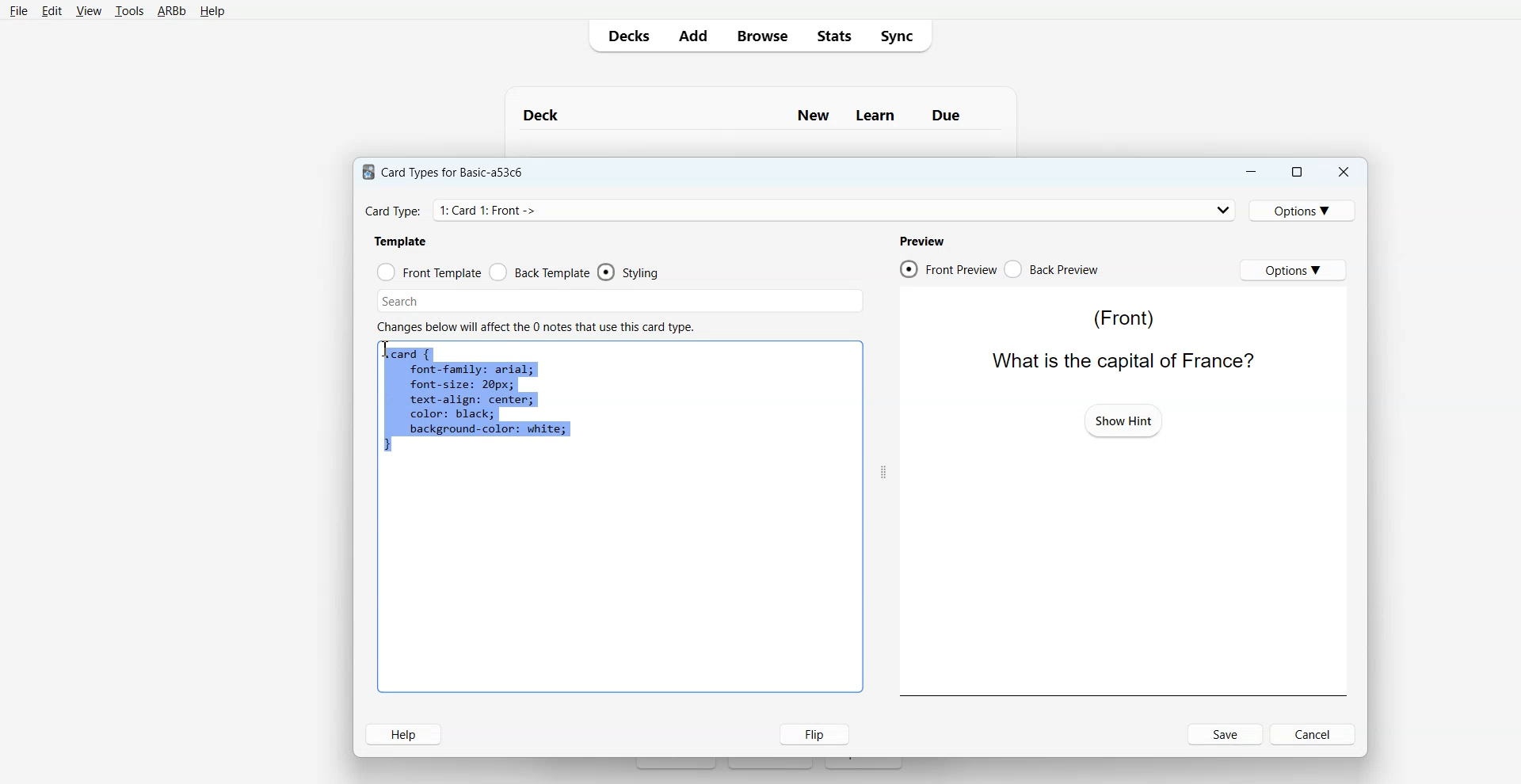  Describe the element at coordinates (630, 272) in the screenshot. I see `Styling` at that location.